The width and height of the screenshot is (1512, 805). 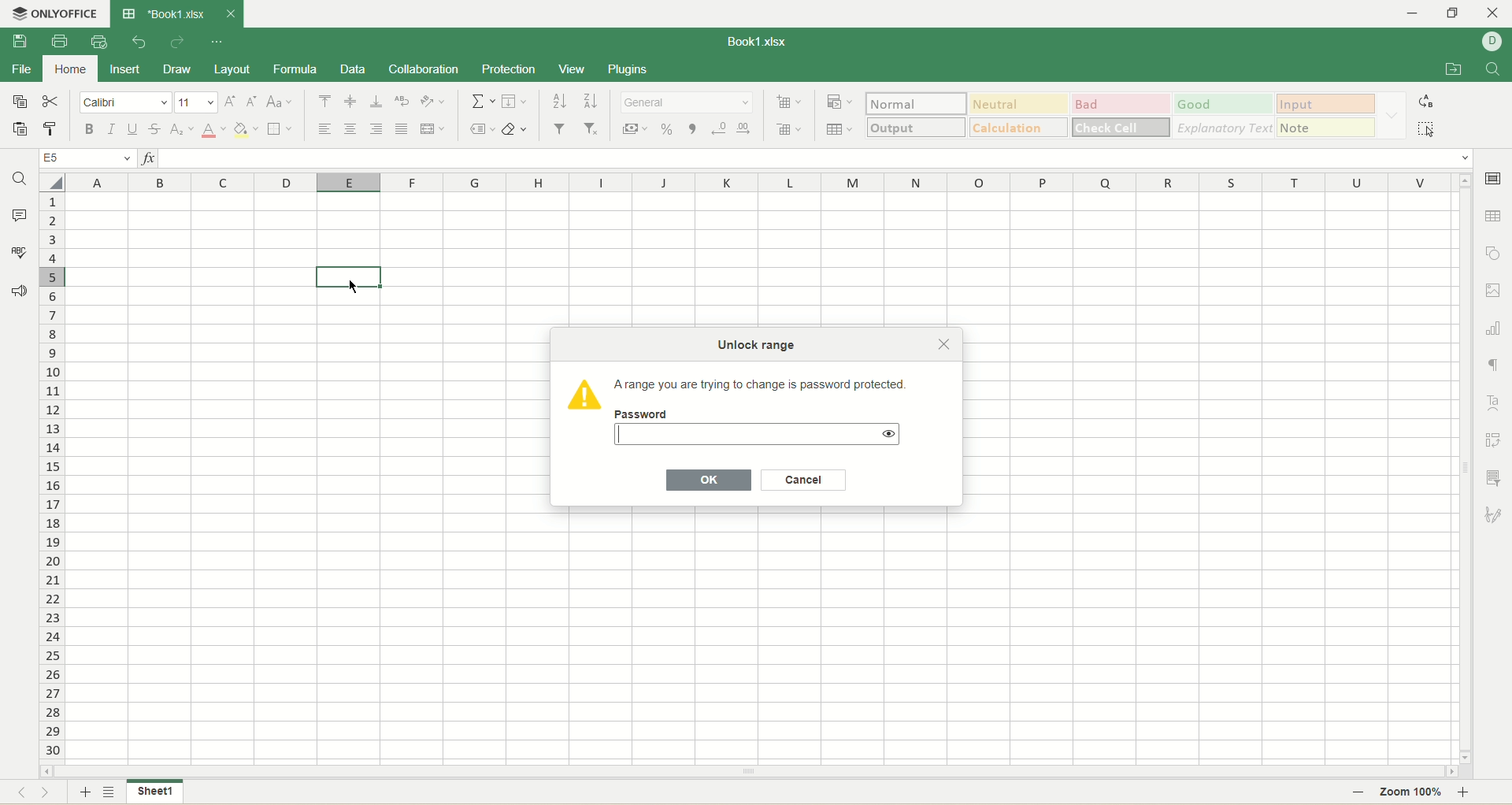 I want to click on object settings, so click(x=1495, y=254).